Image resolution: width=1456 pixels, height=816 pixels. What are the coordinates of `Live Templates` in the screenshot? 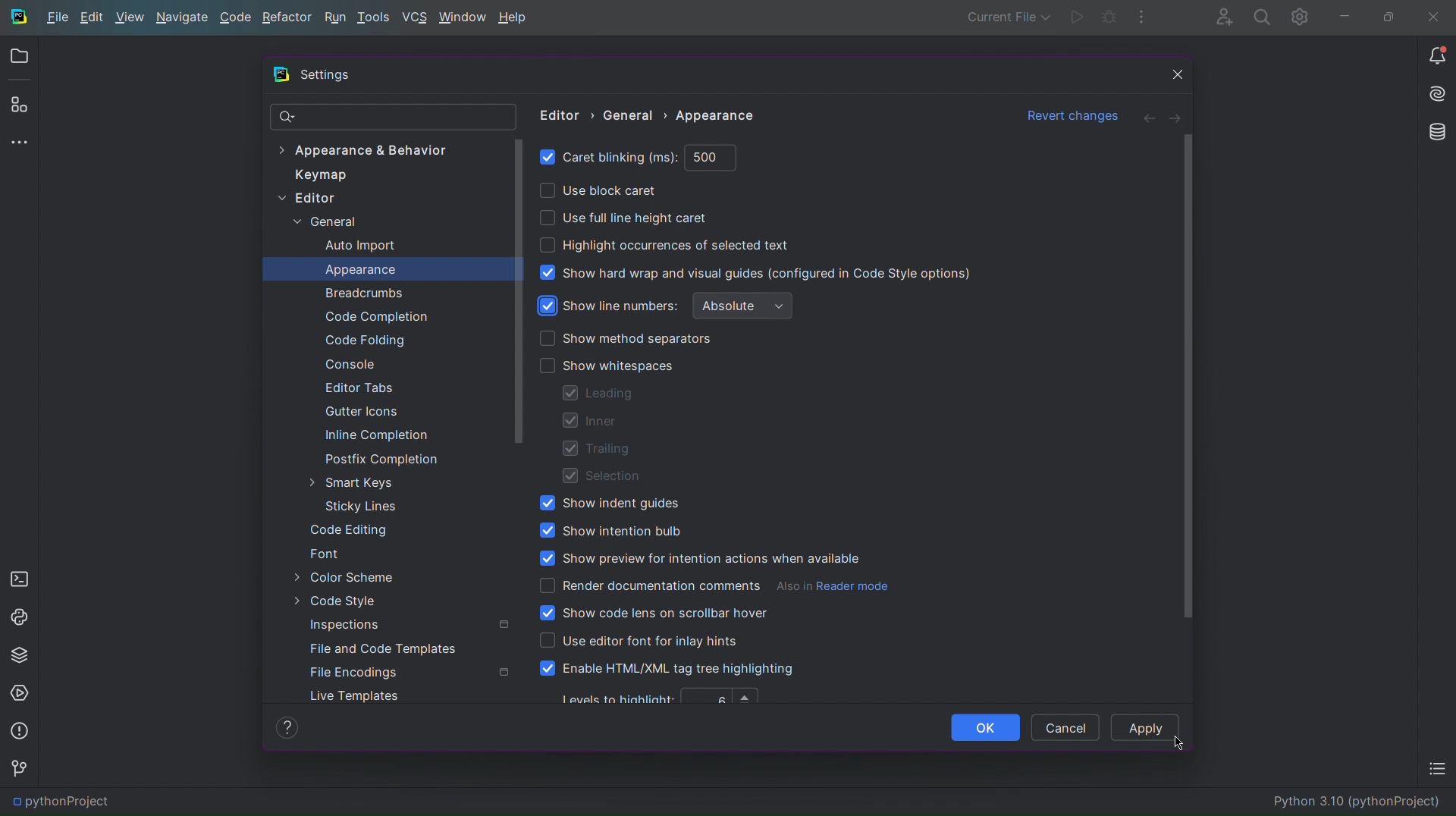 It's located at (354, 696).